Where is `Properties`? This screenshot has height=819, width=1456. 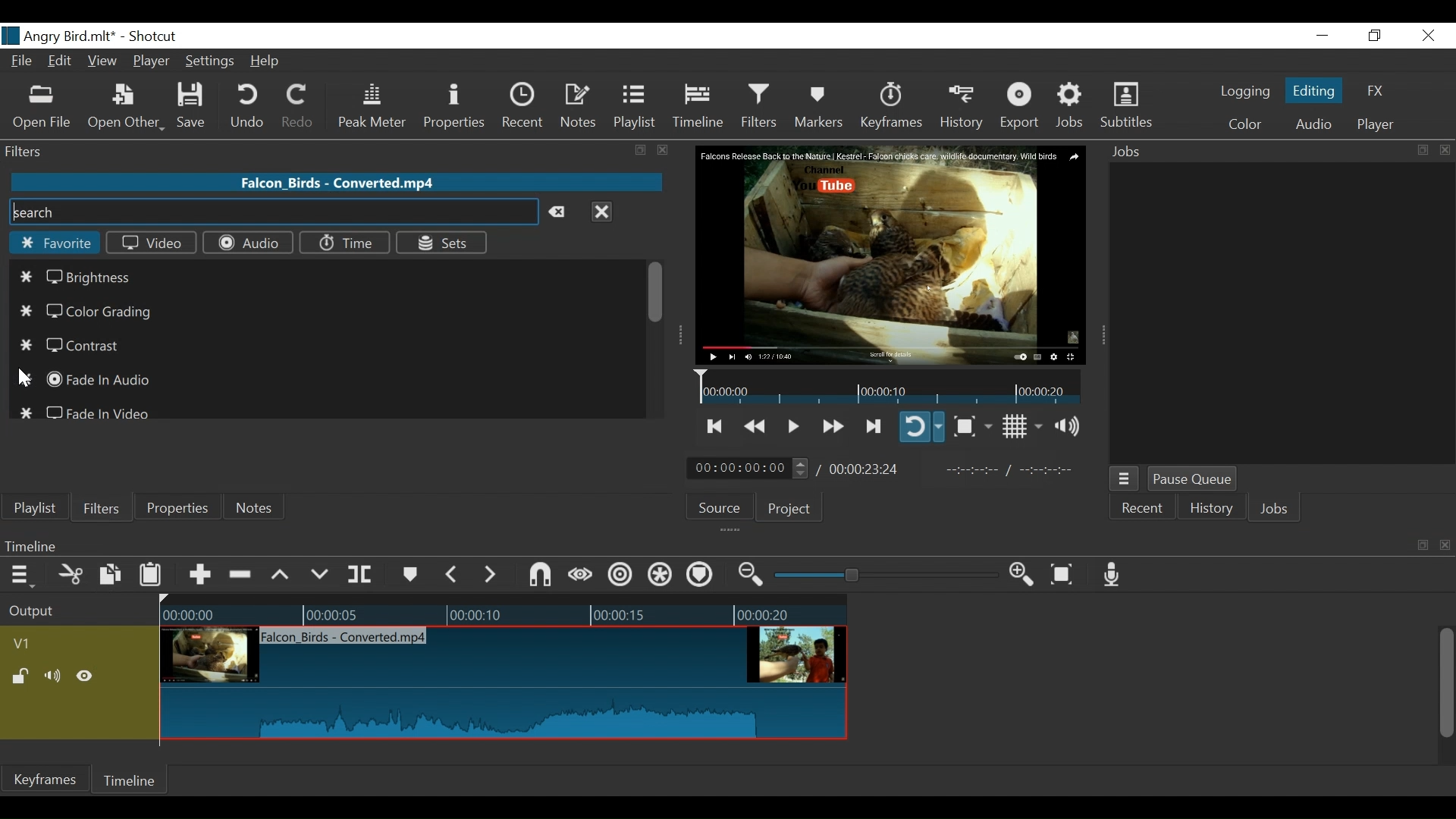
Properties is located at coordinates (175, 507).